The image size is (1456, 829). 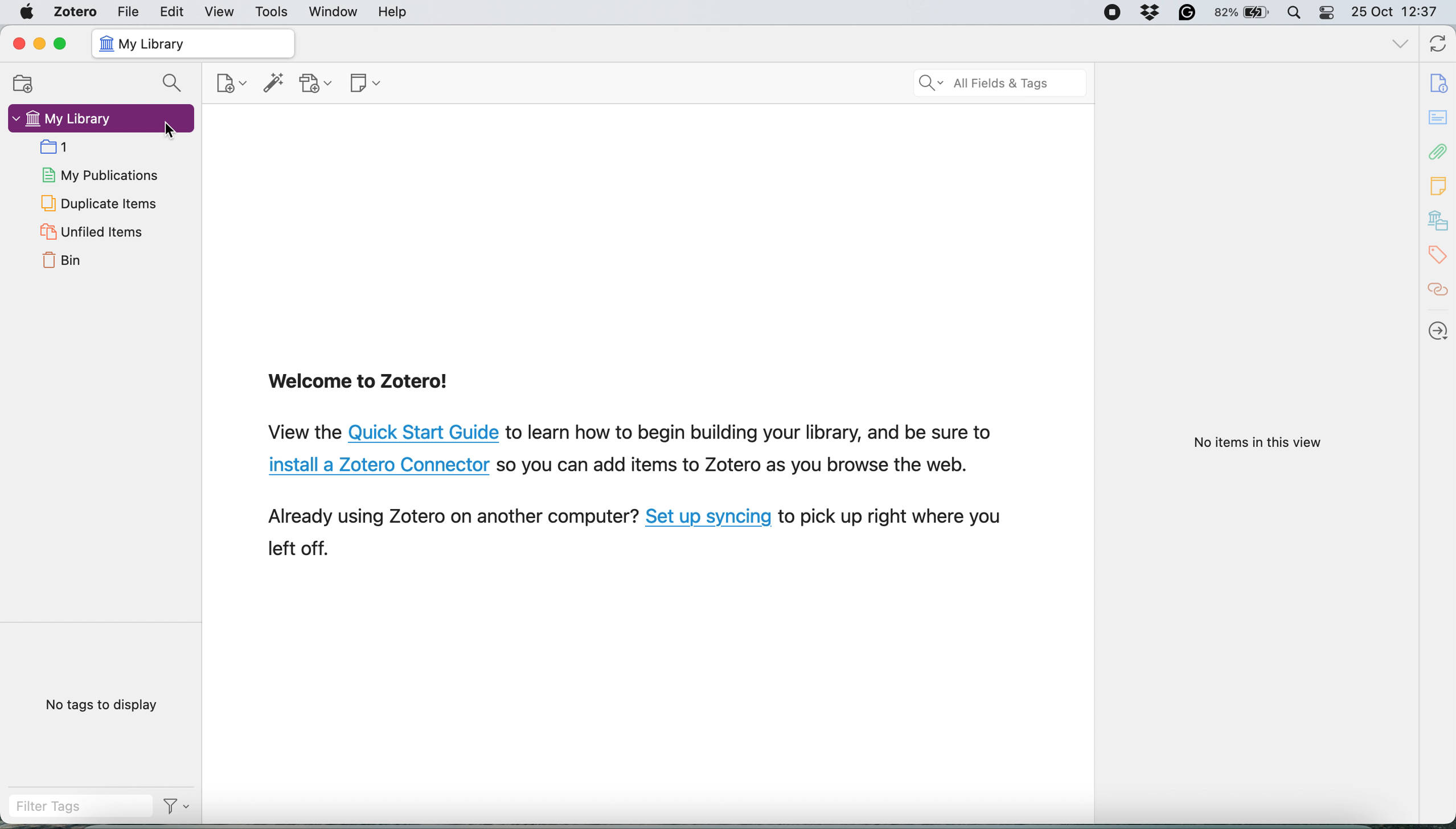 I want to click on abstract, so click(x=1439, y=117).